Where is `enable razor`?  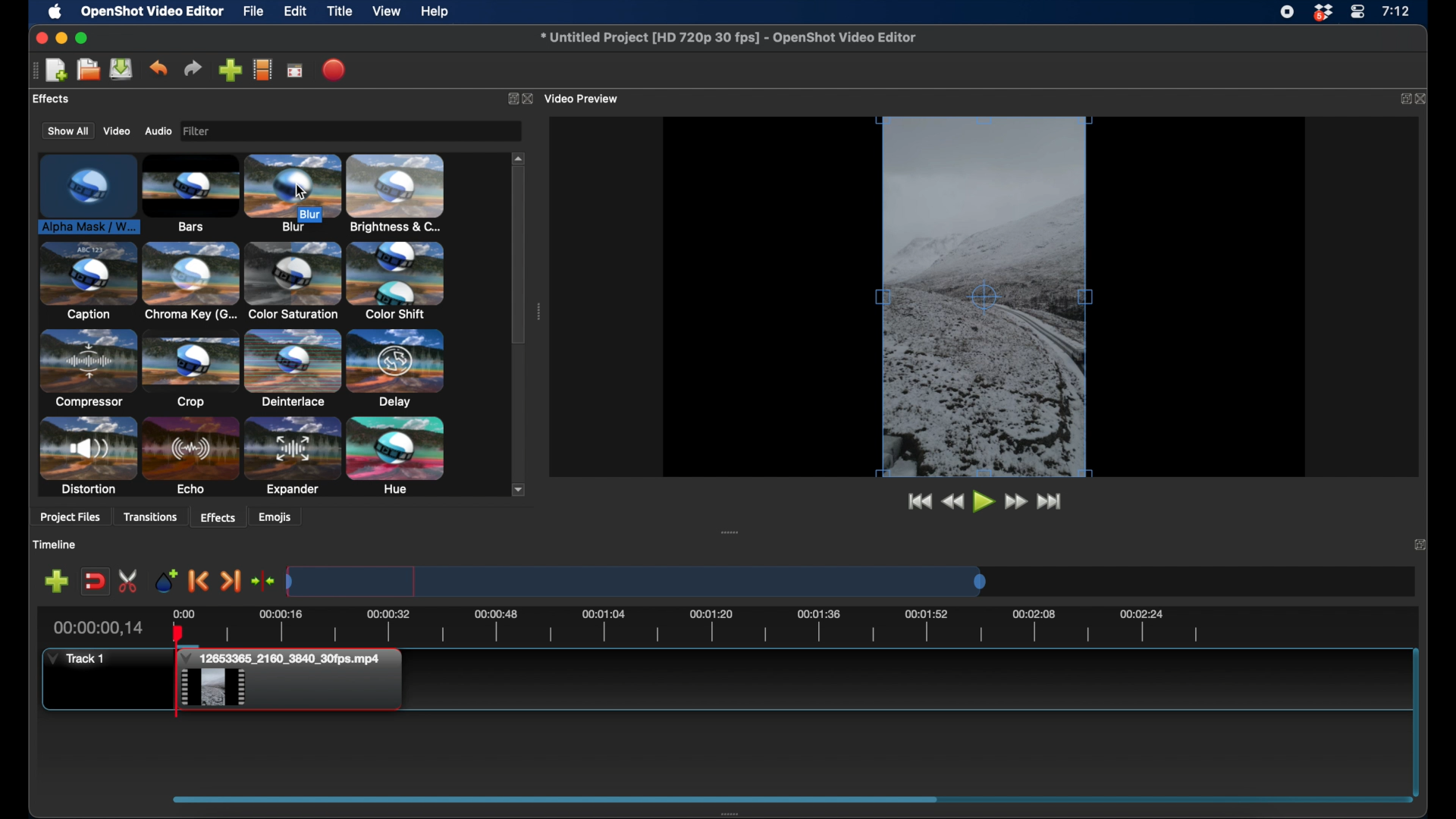
enable razor is located at coordinates (129, 580).